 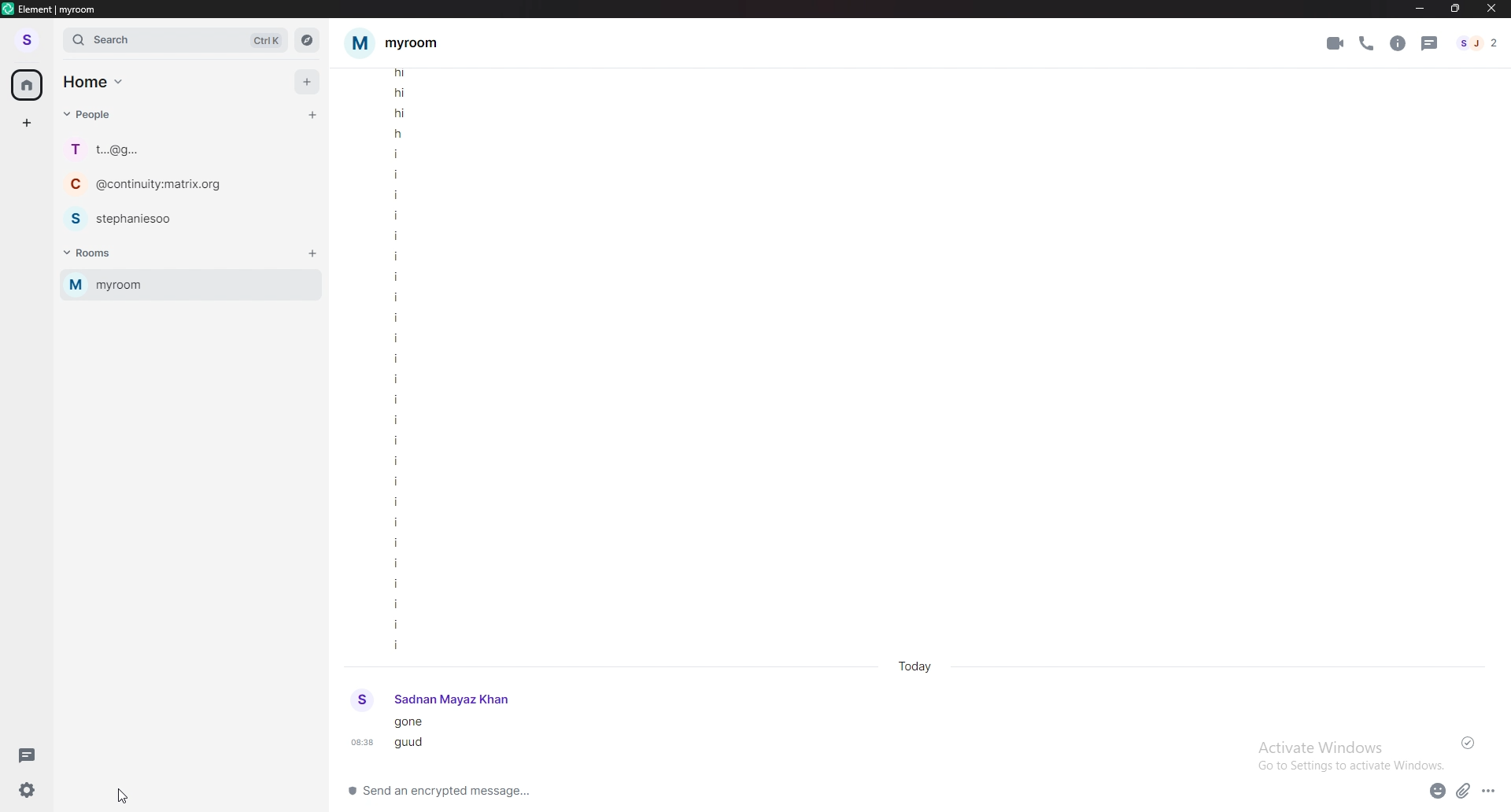 I want to click on chat, so click(x=174, y=183).